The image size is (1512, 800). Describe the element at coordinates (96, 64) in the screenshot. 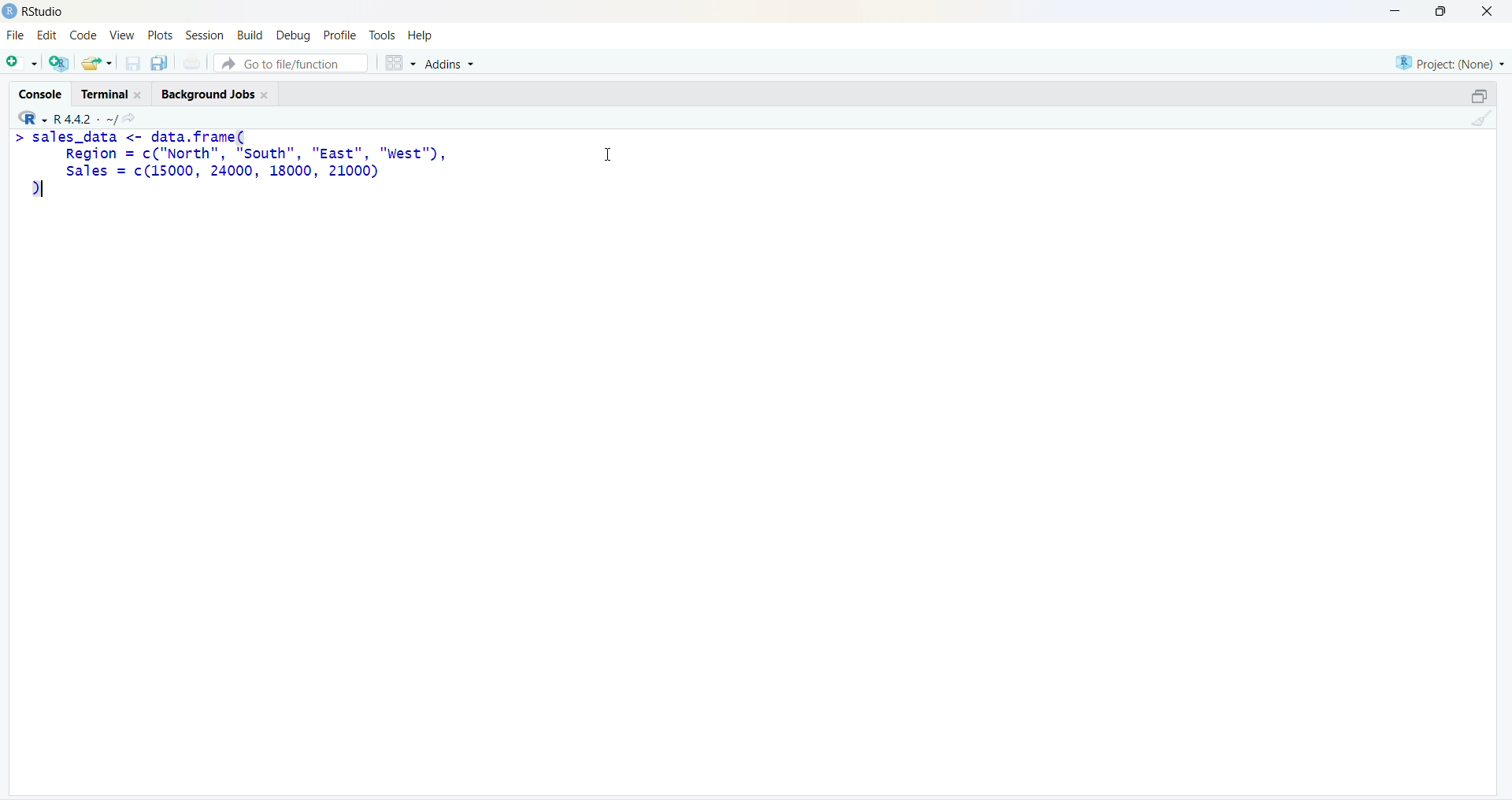

I see `save and export` at that location.